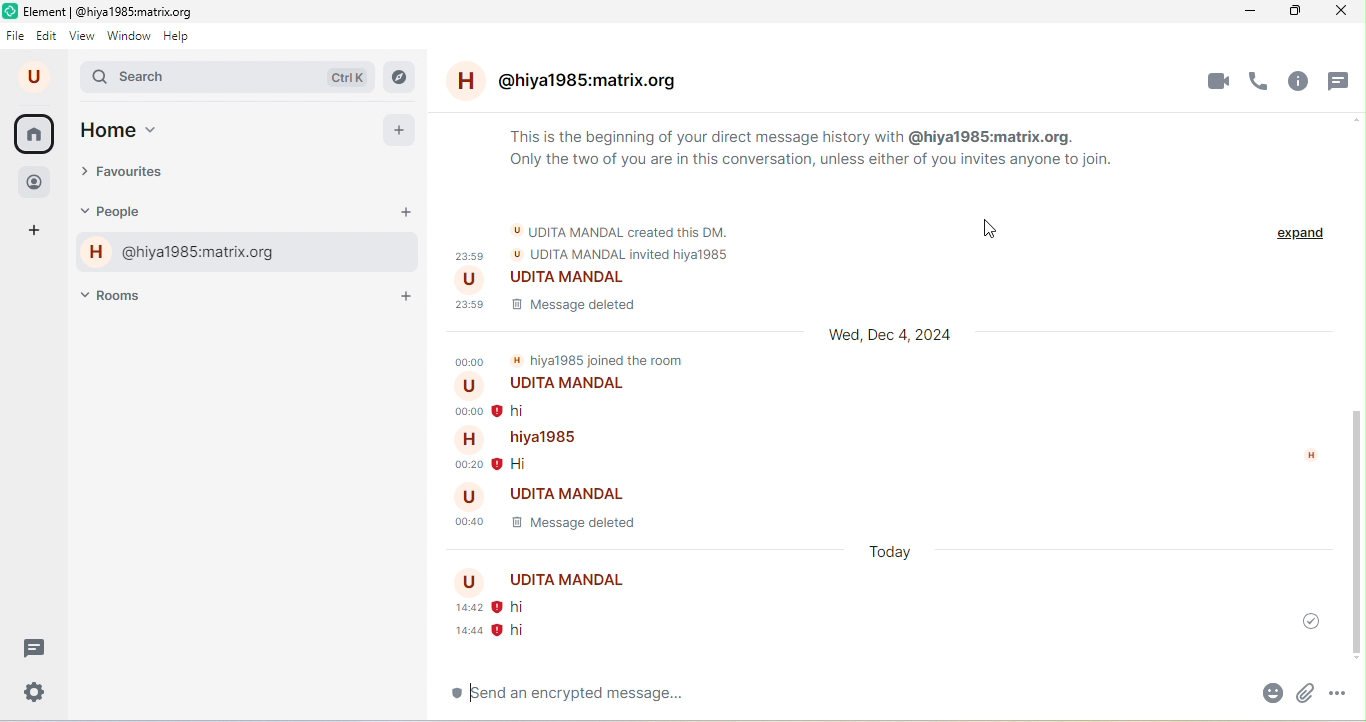 The height and width of the screenshot is (722, 1366). I want to click on u, so click(37, 77).